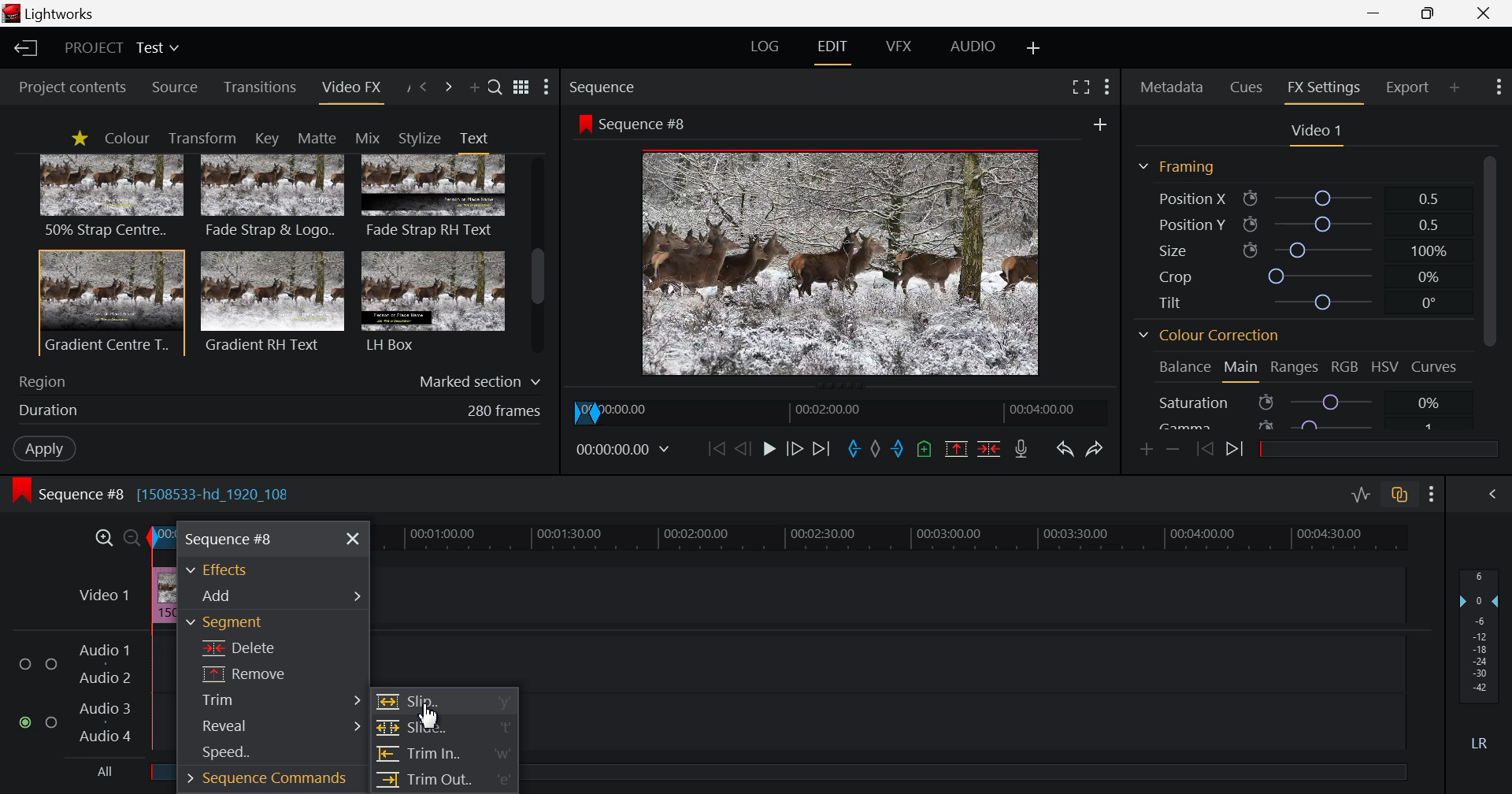  I want to click on Trim In, so click(445, 755).